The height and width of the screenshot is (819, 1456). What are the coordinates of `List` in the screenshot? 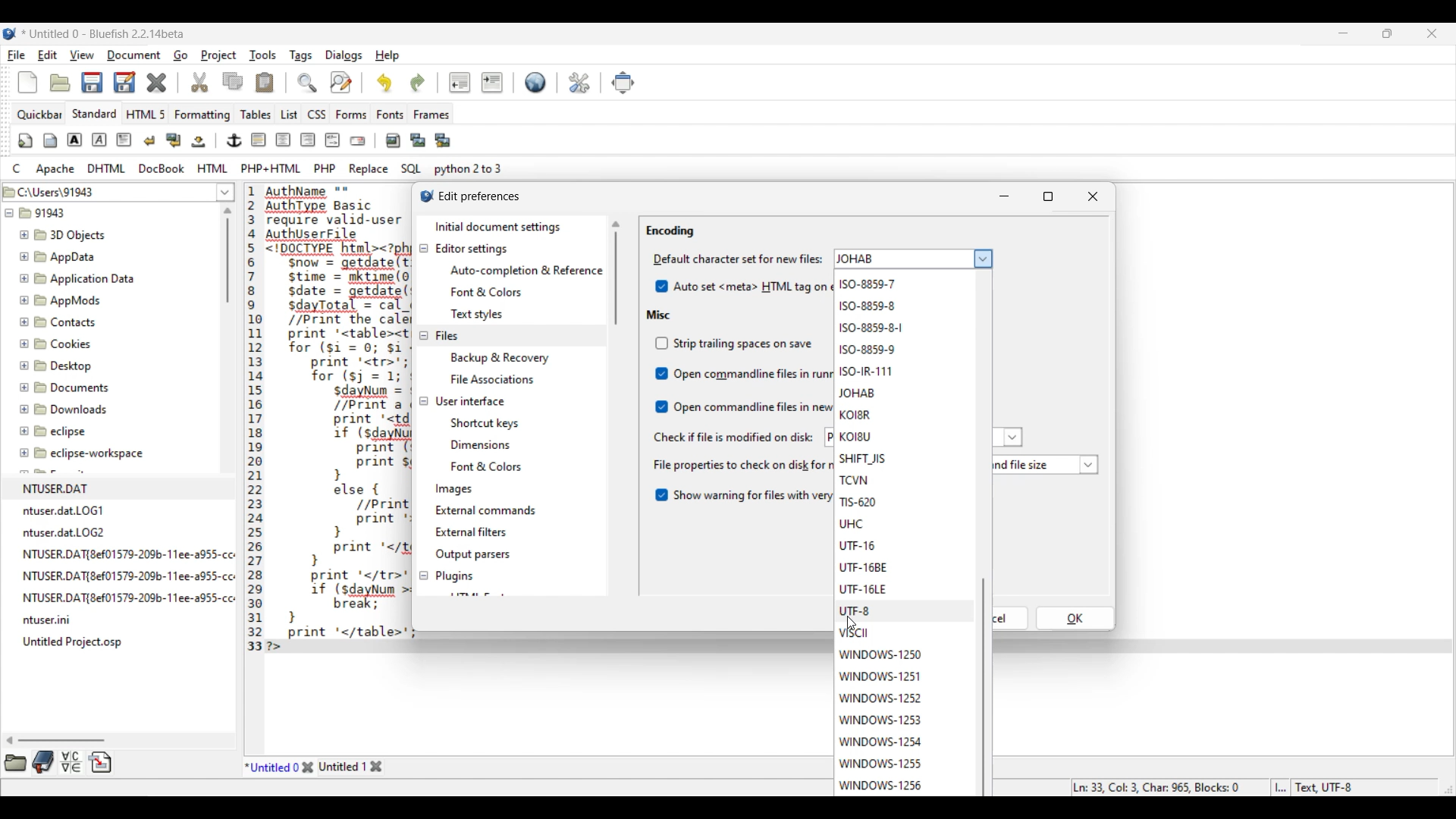 It's located at (290, 115).